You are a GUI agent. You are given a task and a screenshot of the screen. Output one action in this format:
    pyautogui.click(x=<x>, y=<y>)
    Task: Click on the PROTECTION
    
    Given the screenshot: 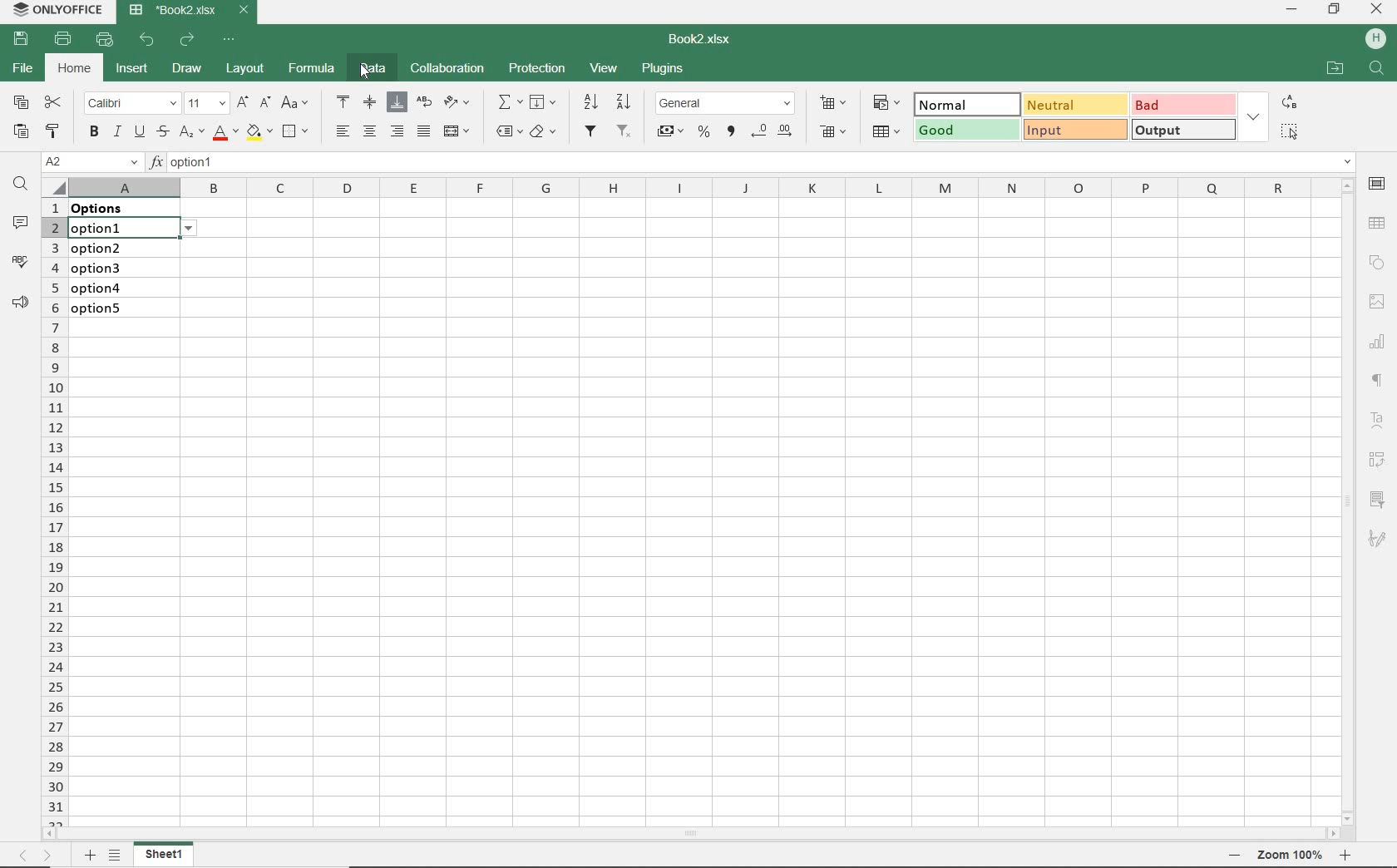 What is the action you would take?
    pyautogui.click(x=537, y=69)
    